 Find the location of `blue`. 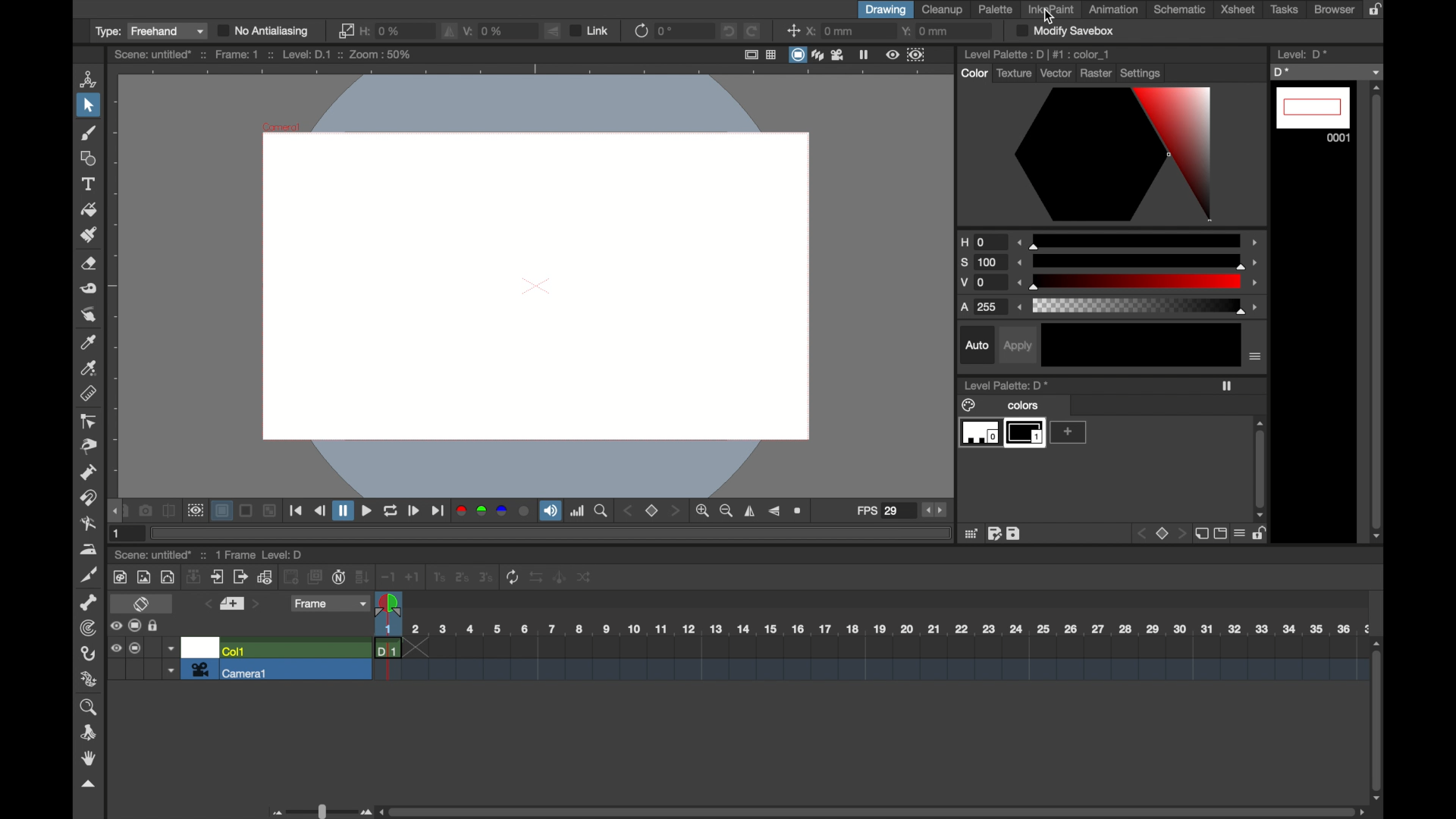

blue is located at coordinates (503, 510).